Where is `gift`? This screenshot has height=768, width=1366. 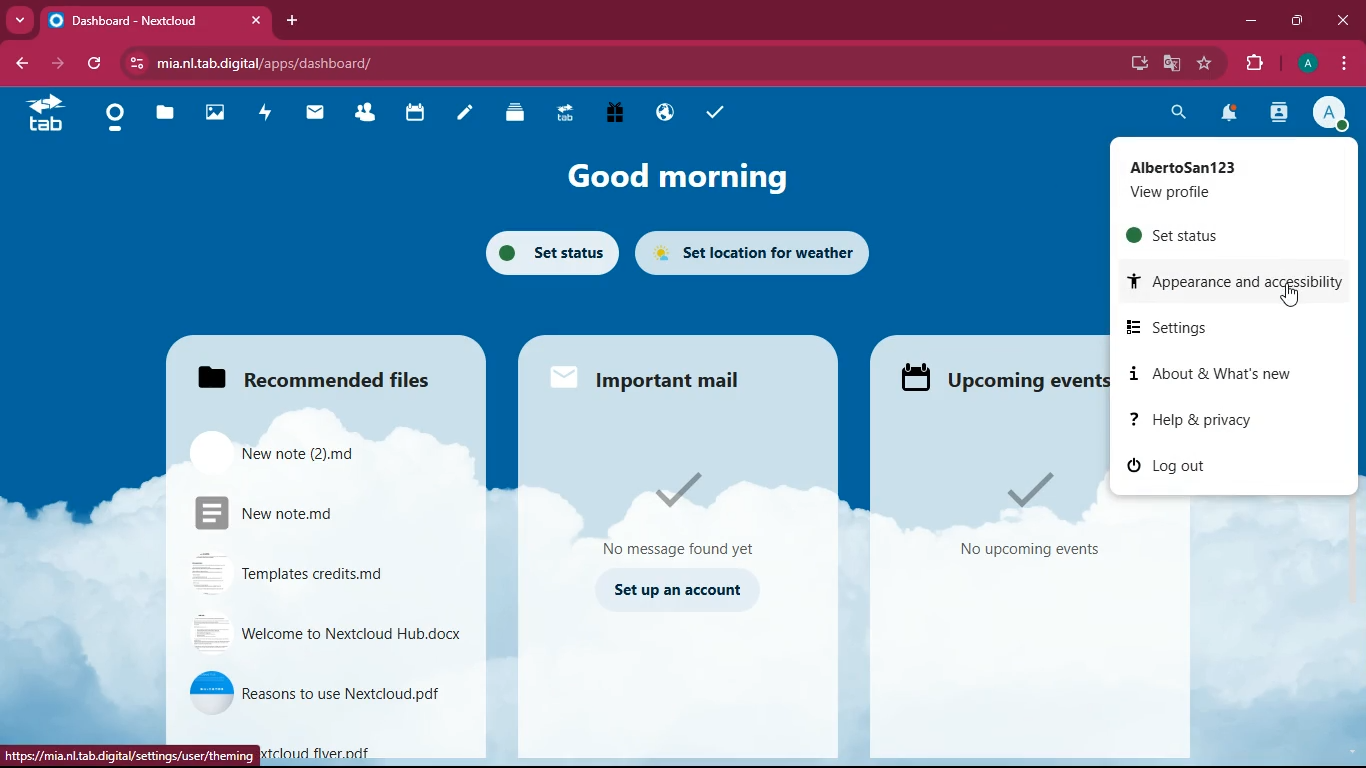 gift is located at coordinates (612, 115).